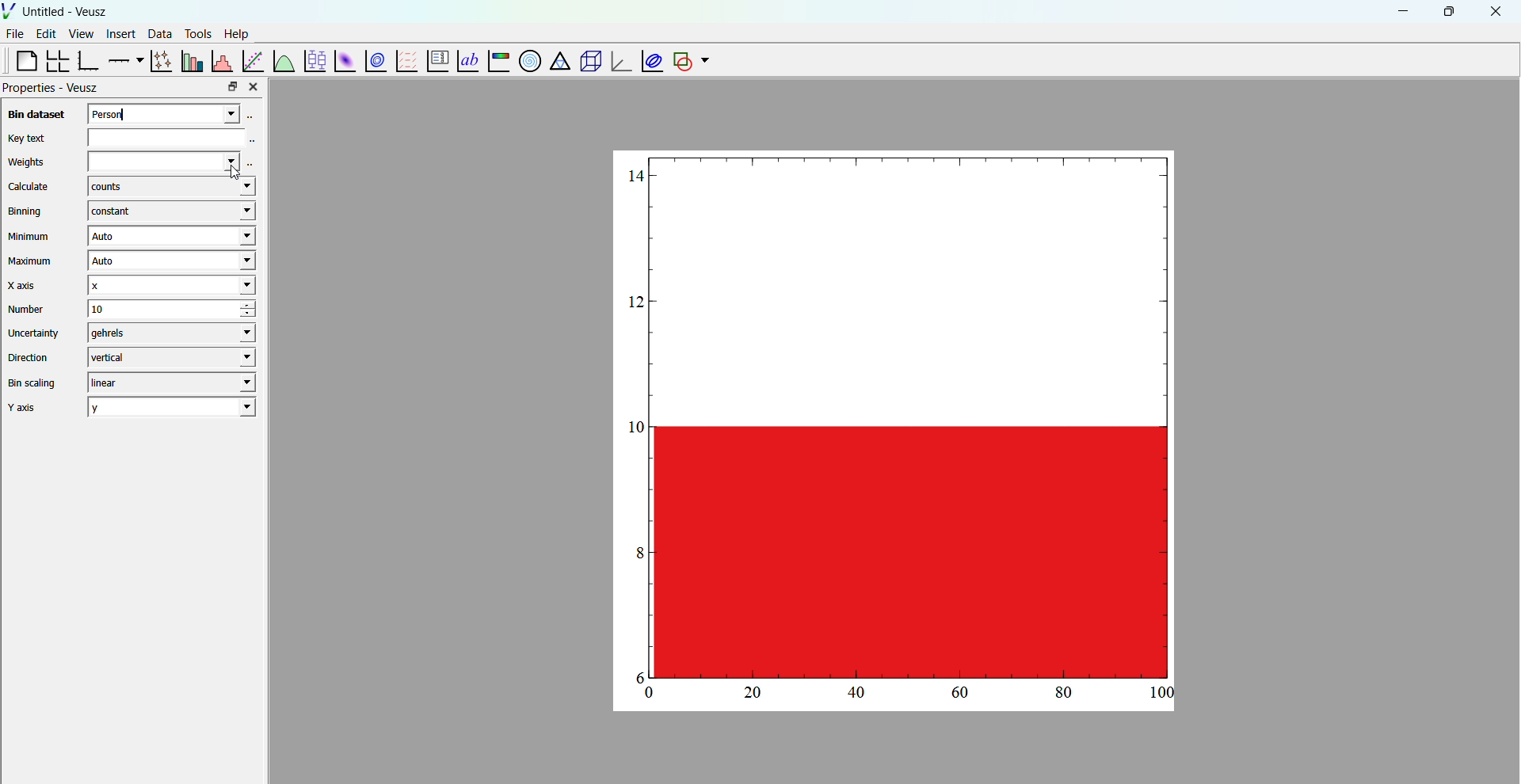 The height and width of the screenshot is (784, 1521). Describe the element at coordinates (52, 88) in the screenshot. I see `Properties - Veusz` at that location.